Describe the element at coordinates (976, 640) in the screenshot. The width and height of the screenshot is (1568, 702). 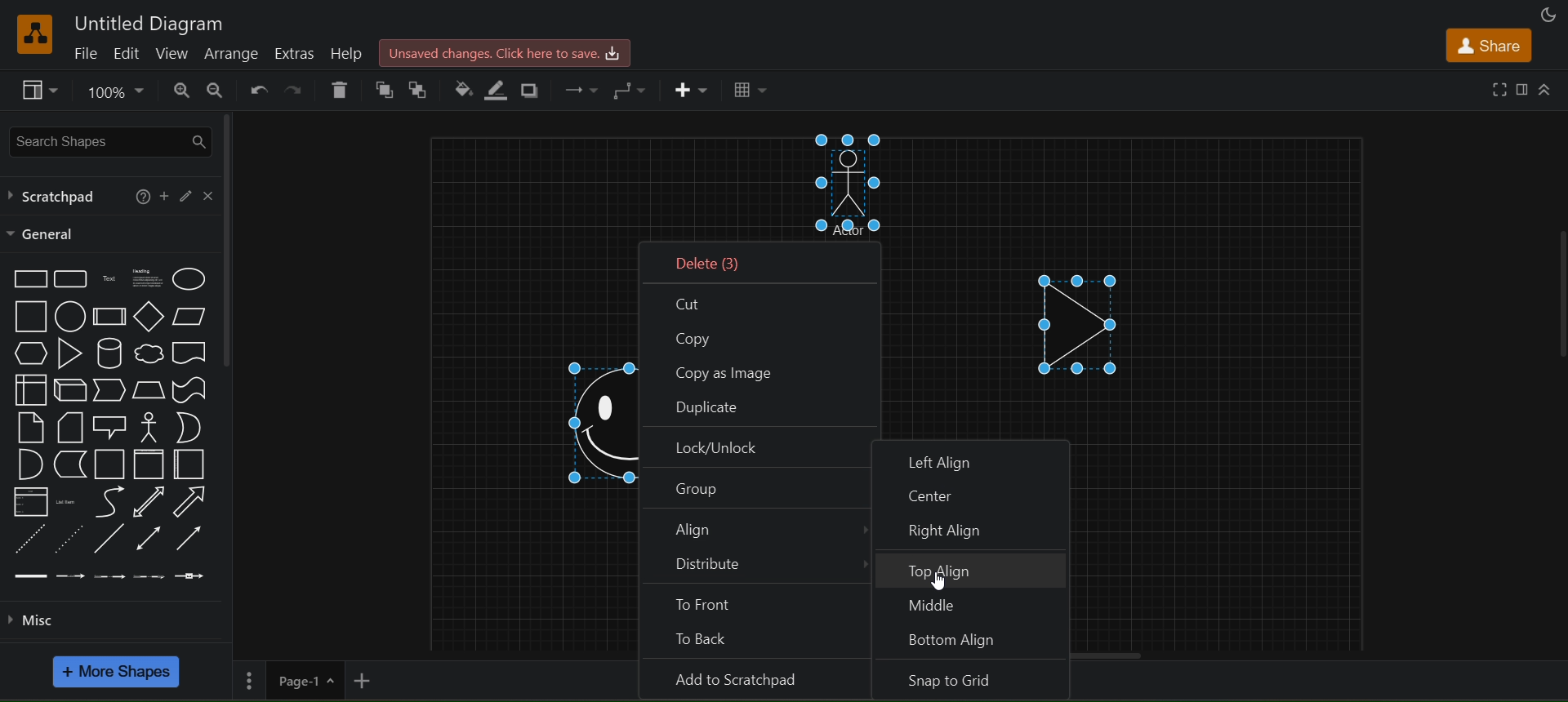
I see `bottom align` at that location.